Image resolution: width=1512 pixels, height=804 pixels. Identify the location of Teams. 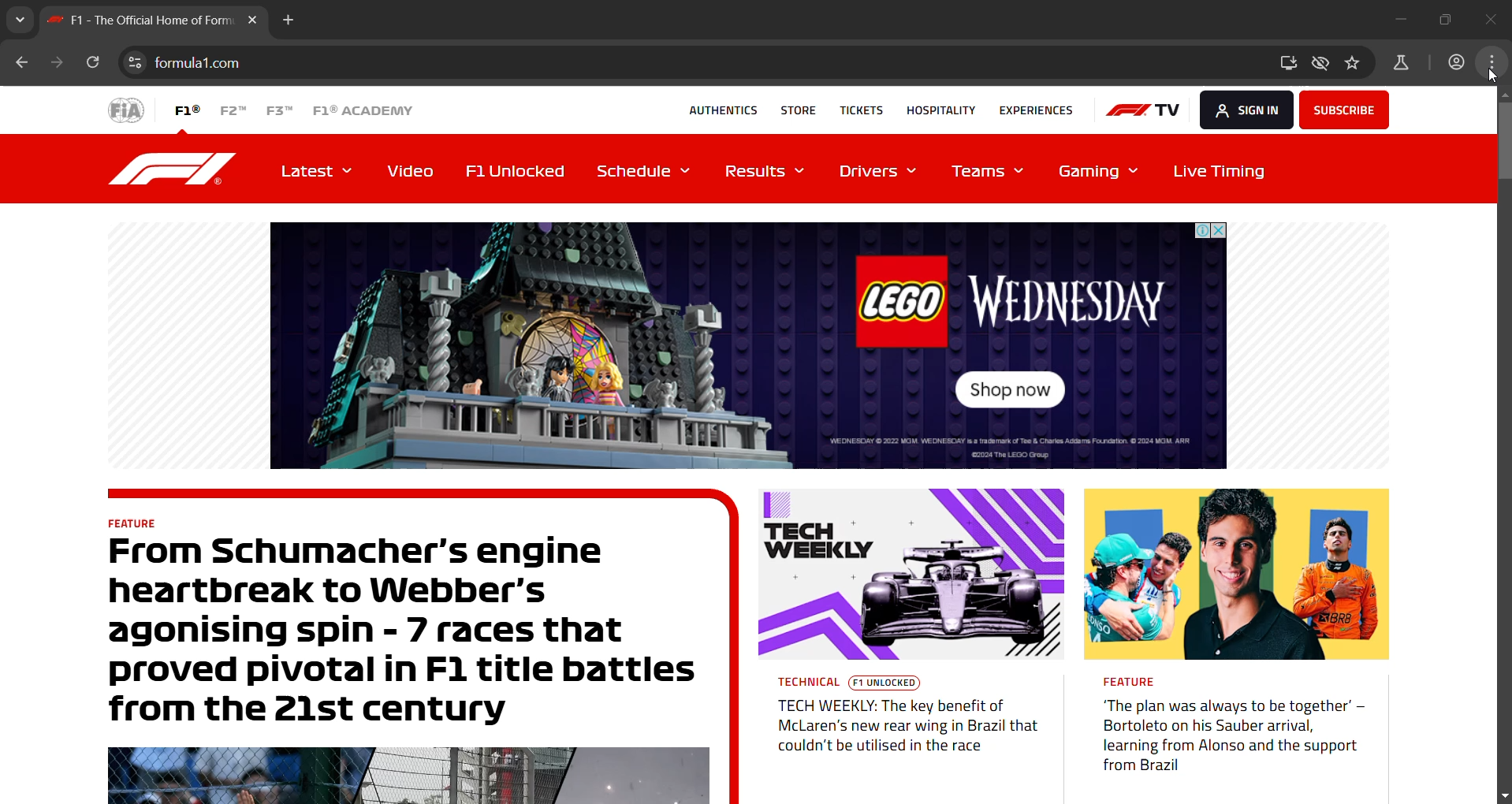
(989, 171).